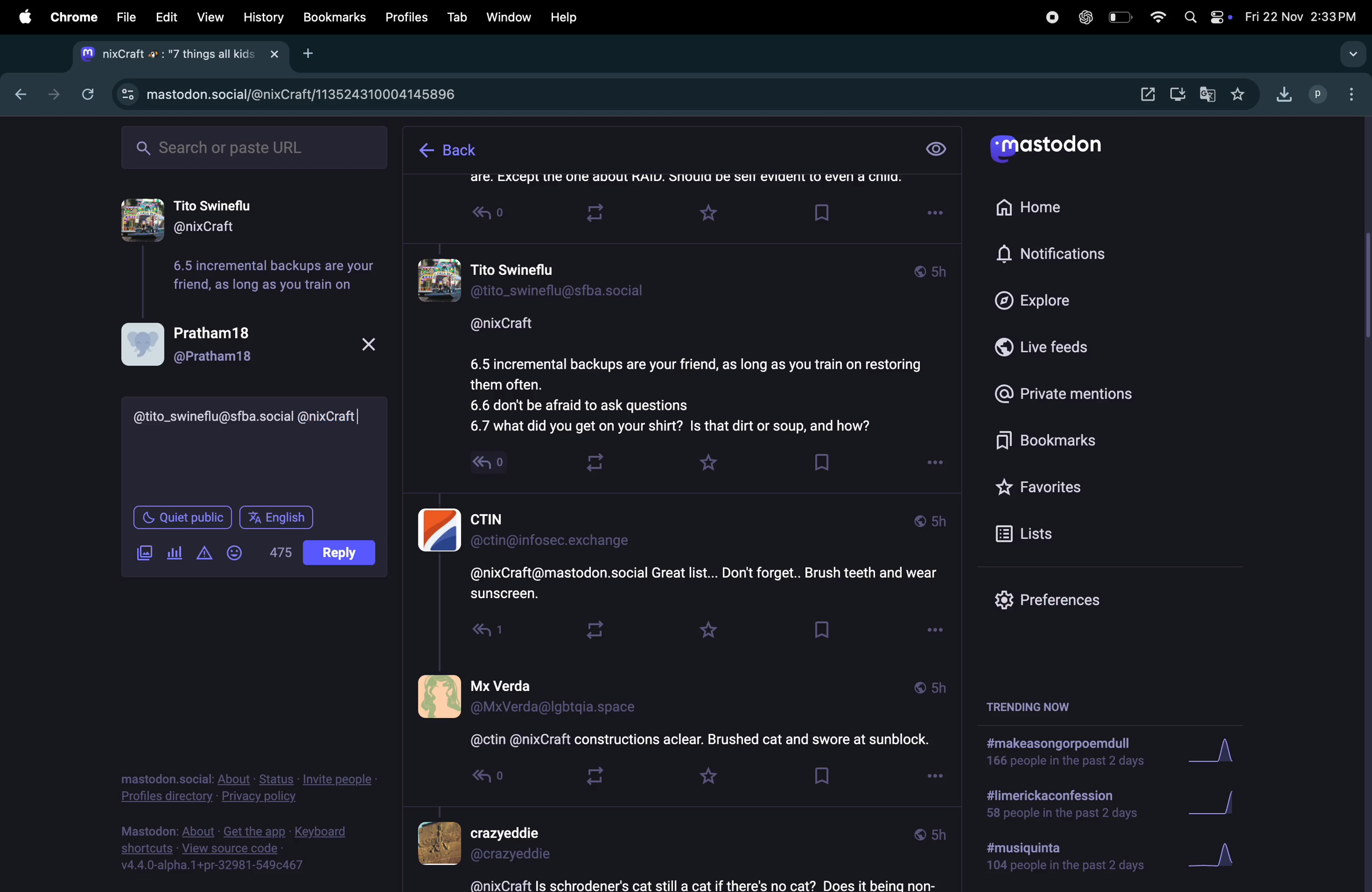  What do you see at coordinates (672, 852) in the screenshot?
I see `thread` at bounding box center [672, 852].